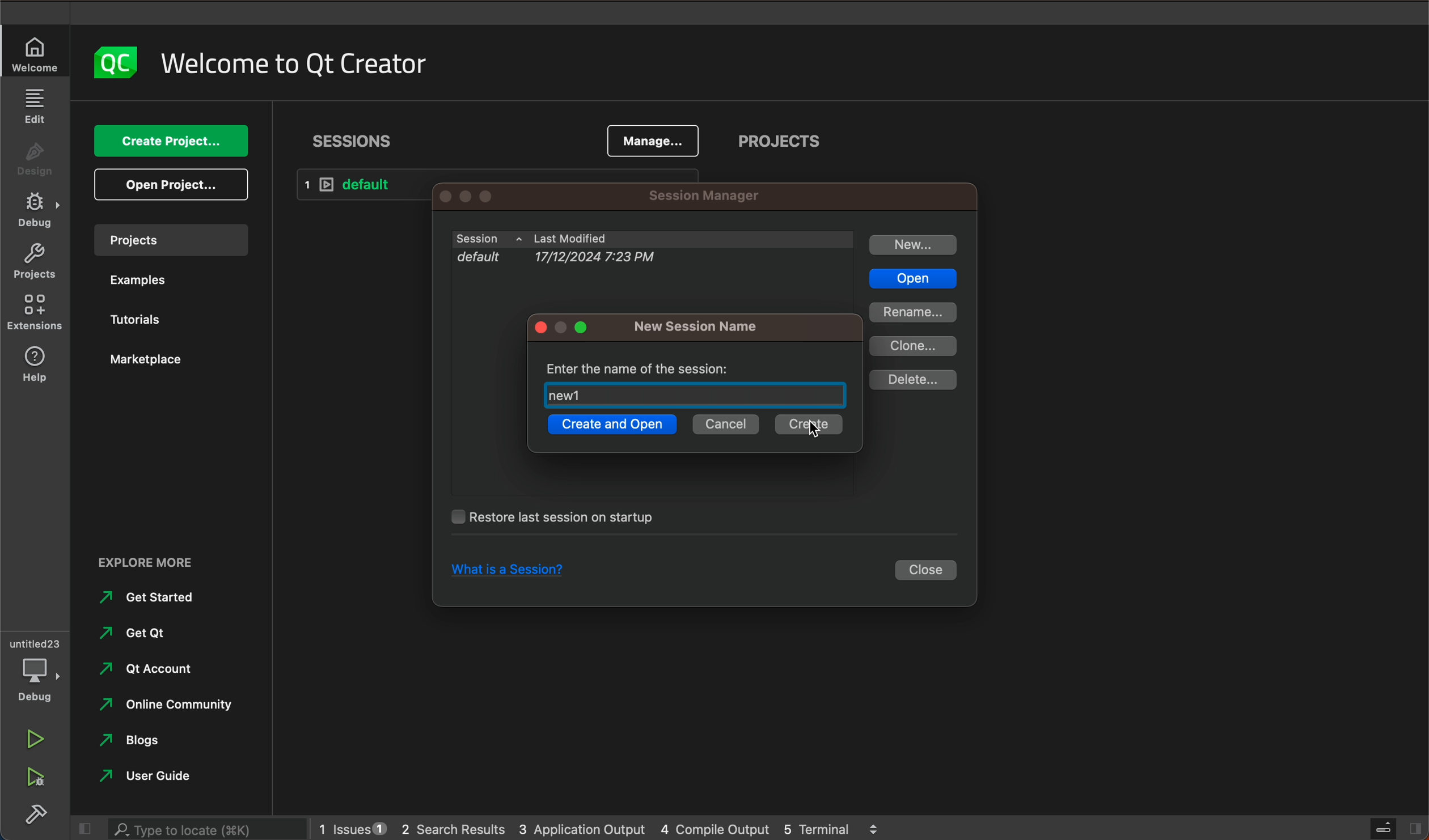 This screenshot has width=1429, height=840. Describe the element at coordinates (153, 597) in the screenshot. I see `get started` at that location.